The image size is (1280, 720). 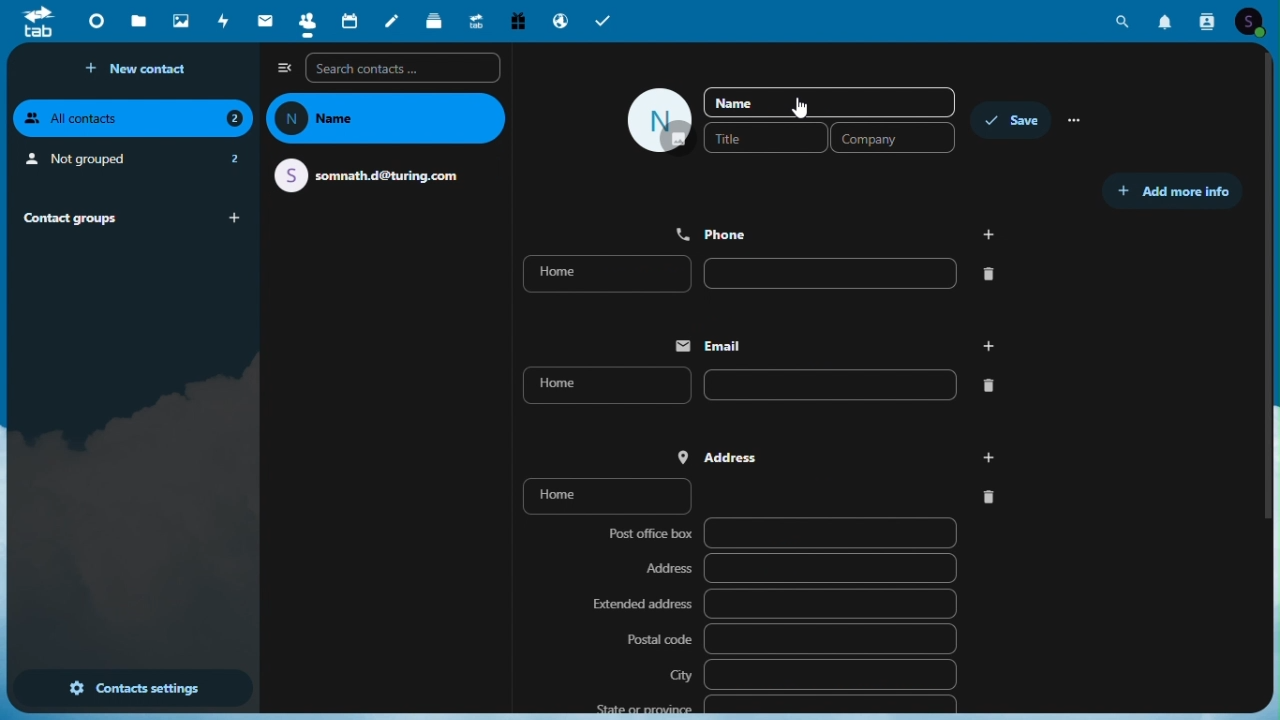 What do you see at coordinates (1272, 297) in the screenshot?
I see `vertical scrollbar` at bounding box center [1272, 297].